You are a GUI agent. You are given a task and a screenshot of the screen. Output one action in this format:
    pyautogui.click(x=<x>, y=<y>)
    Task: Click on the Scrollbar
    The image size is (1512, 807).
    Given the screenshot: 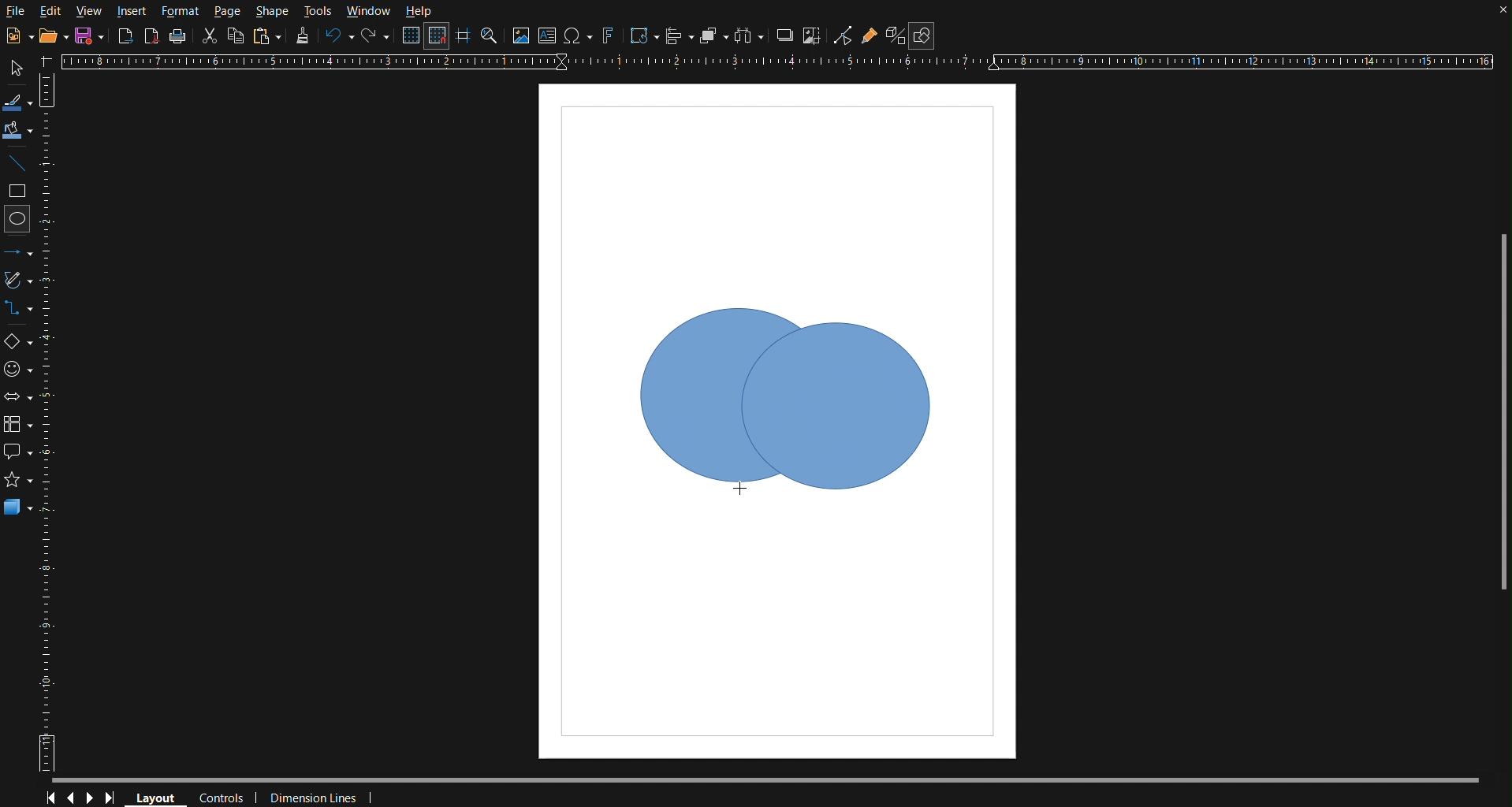 What is the action you would take?
    pyautogui.click(x=778, y=775)
    